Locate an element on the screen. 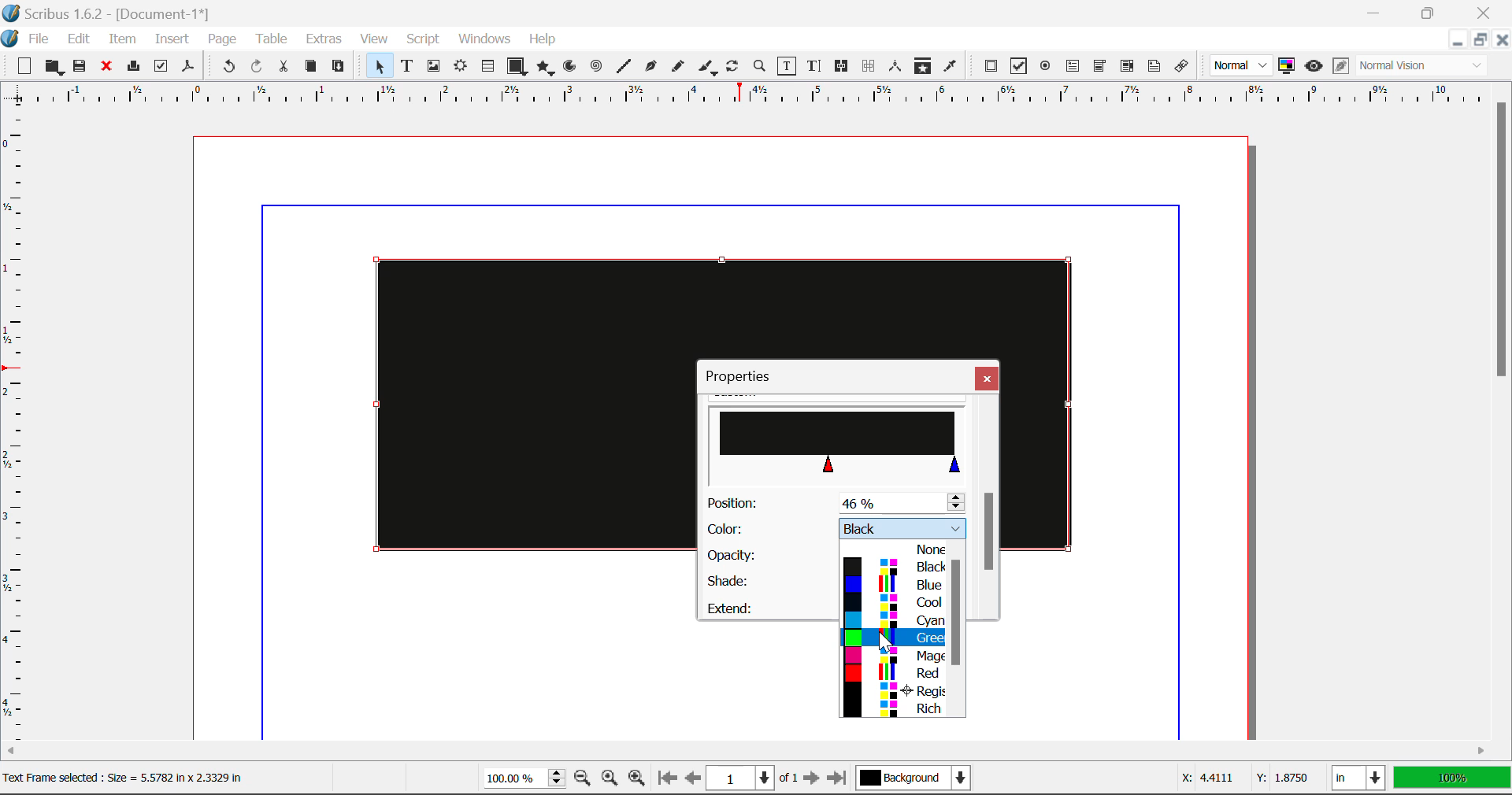 The width and height of the screenshot is (1512, 795). Toggle Color Management is located at coordinates (1287, 66).